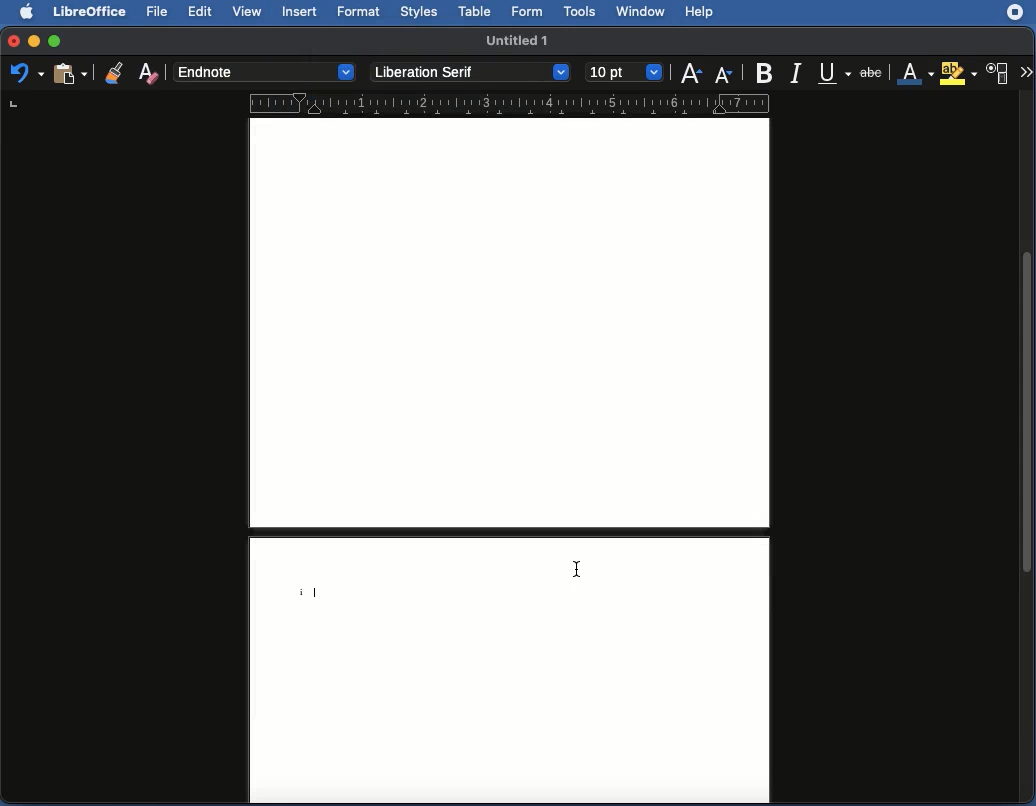  Describe the element at coordinates (199, 11) in the screenshot. I see `Edit` at that location.